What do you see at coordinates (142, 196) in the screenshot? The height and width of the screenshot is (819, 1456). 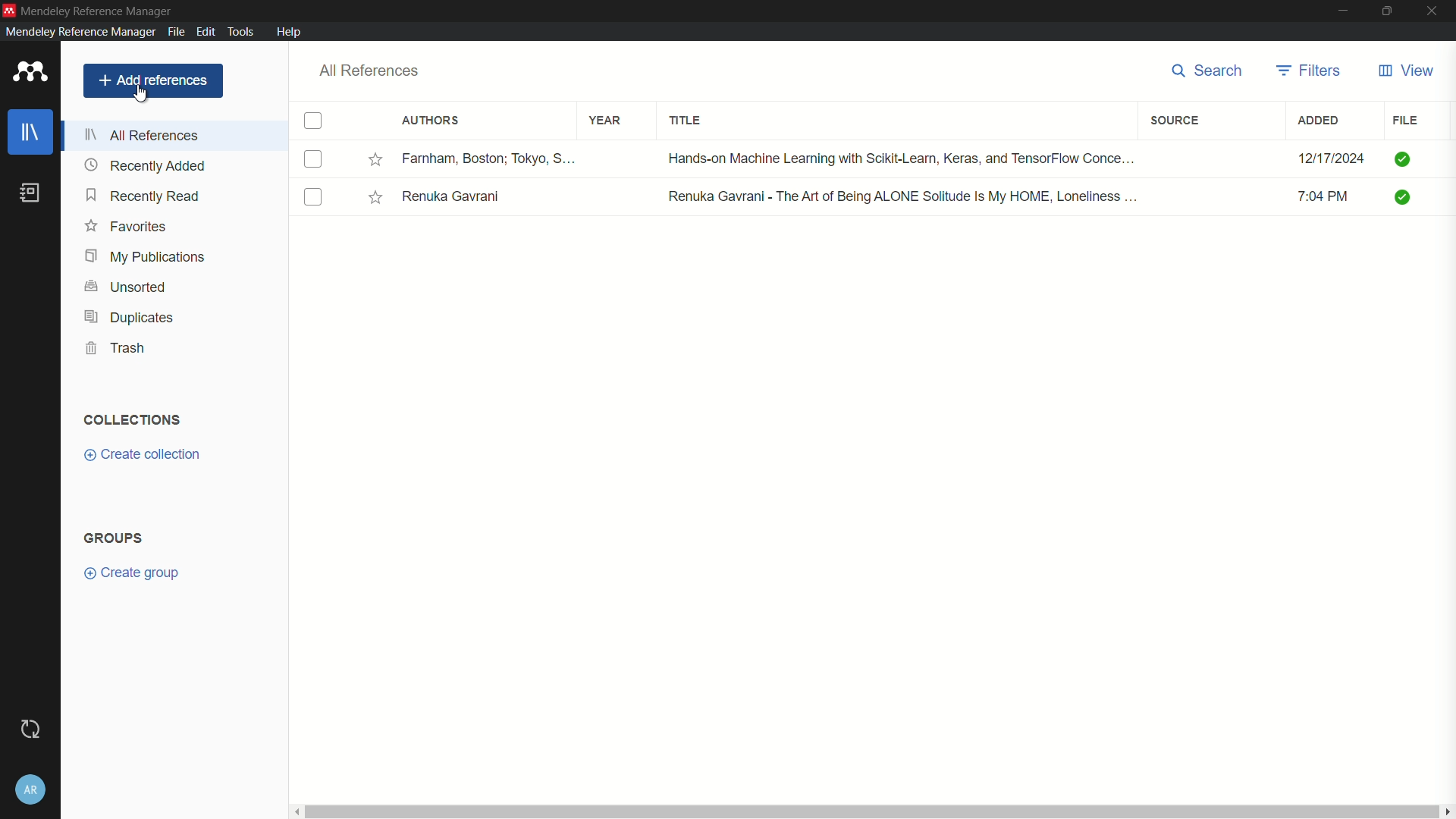 I see `recently read` at bounding box center [142, 196].